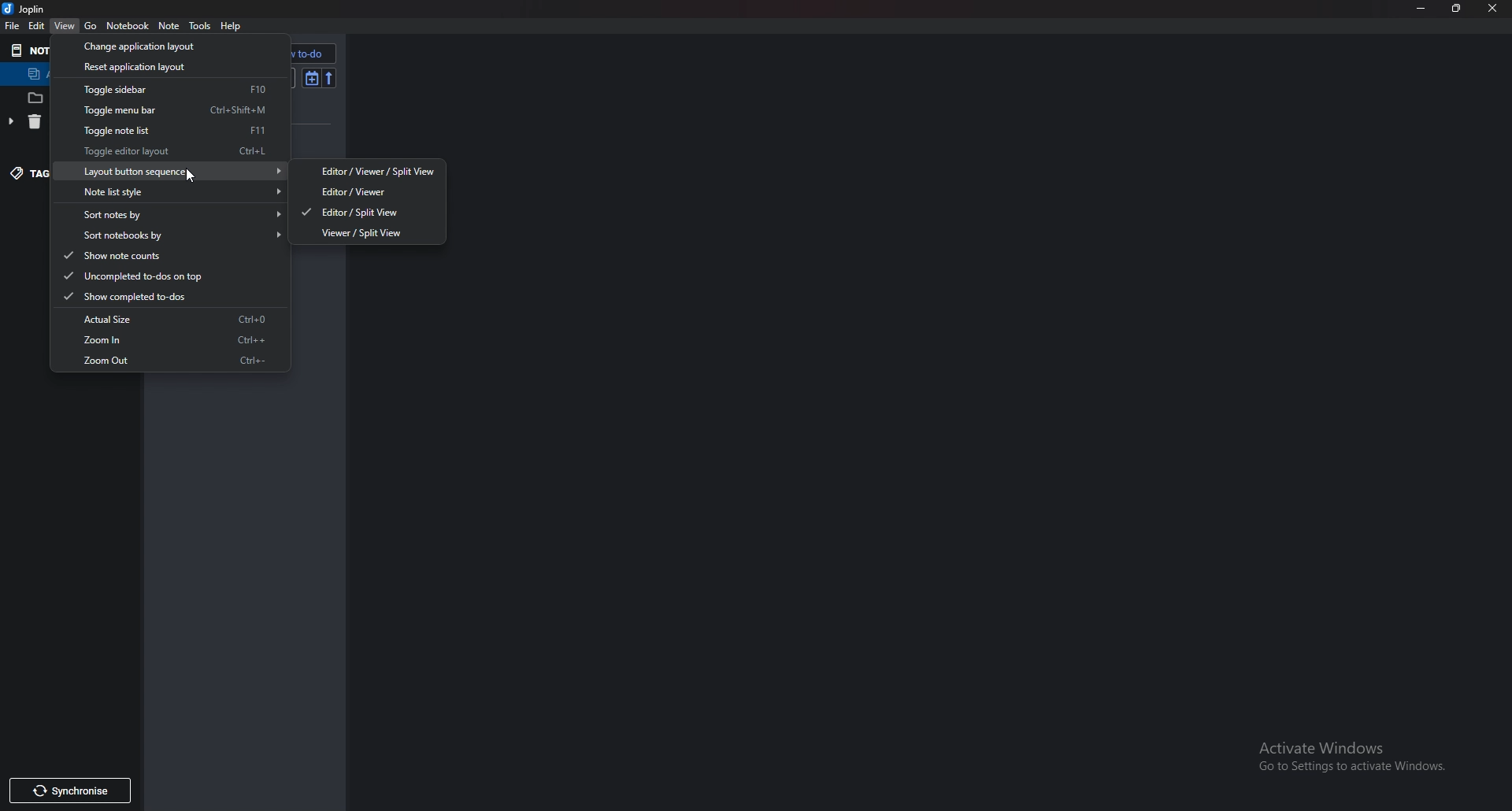  What do you see at coordinates (161, 296) in the screenshot?
I see `Show completed to dos` at bounding box center [161, 296].